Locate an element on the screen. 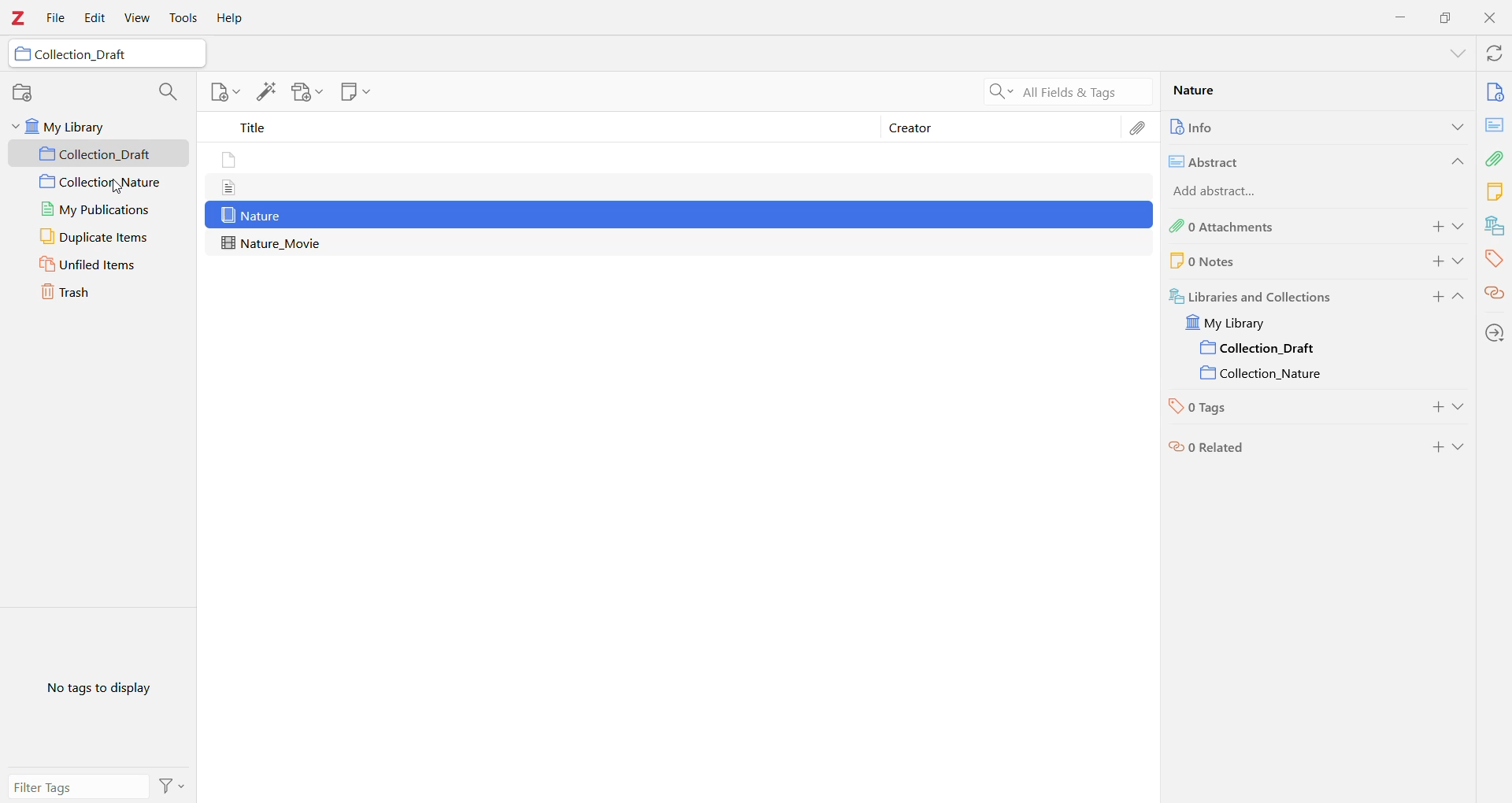 This screenshot has height=803, width=1512. Add is located at coordinates (1433, 228).